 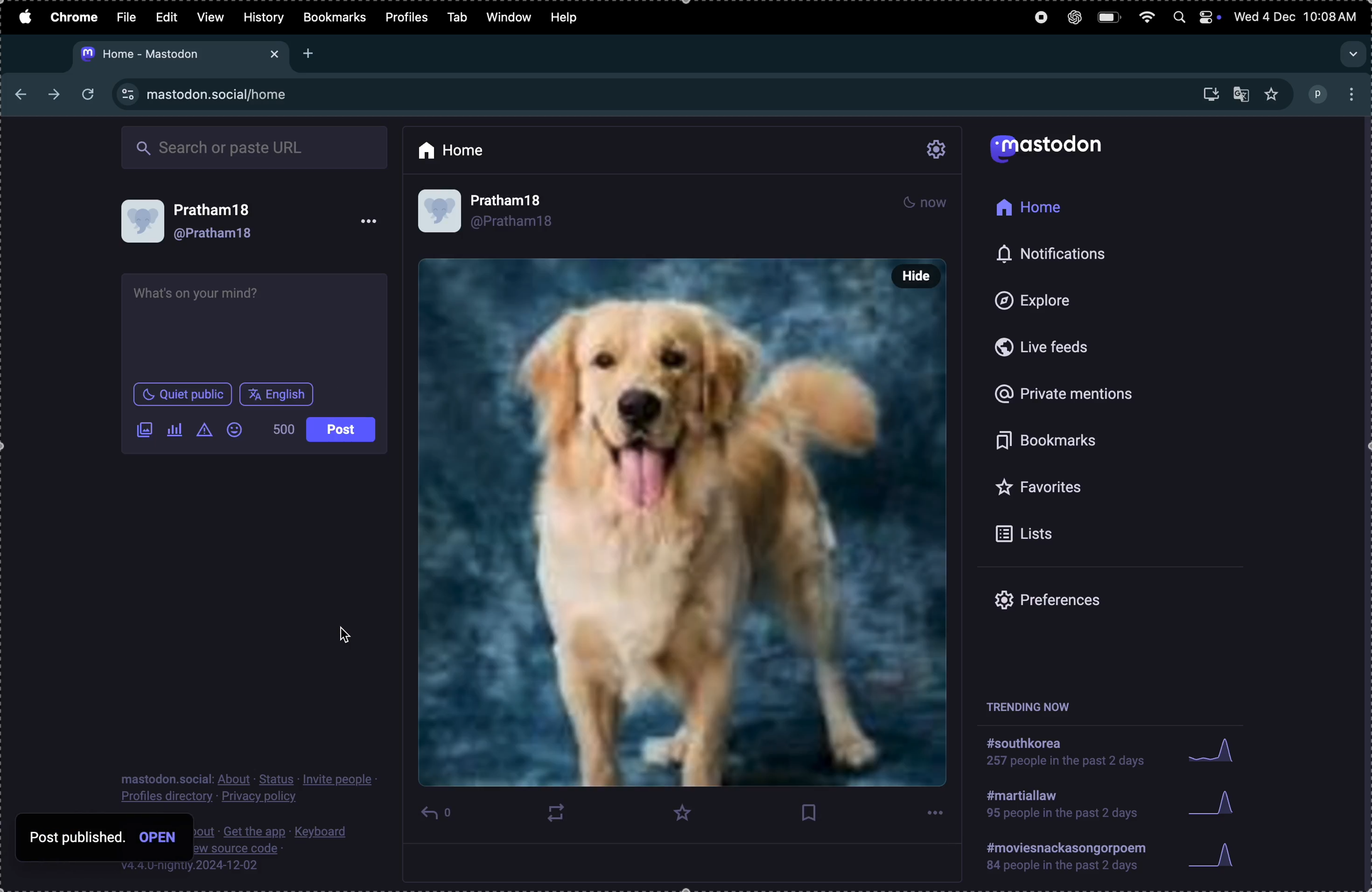 I want to click on option, so click(x=369, y=224).